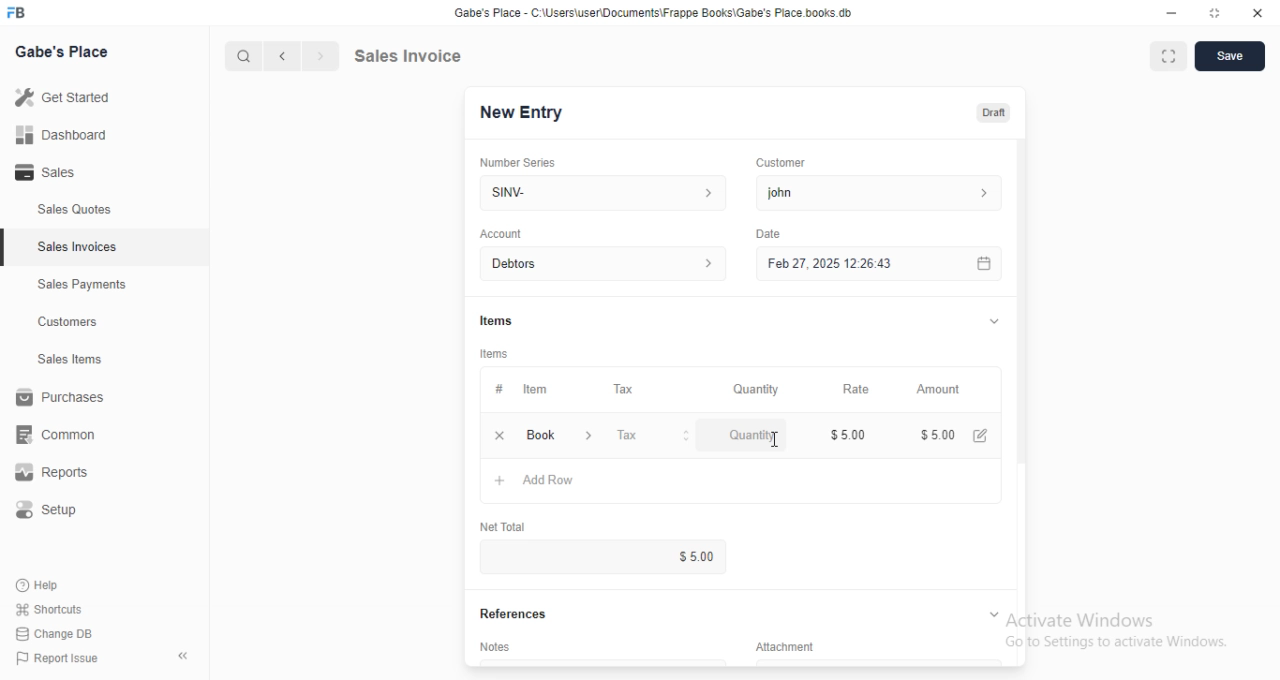 Image resolution: width=1280 pixels, height=680 pixels. Describe the element at coordinates (65, 52) in the screenshot. I see `Gabe's Place` at that location.